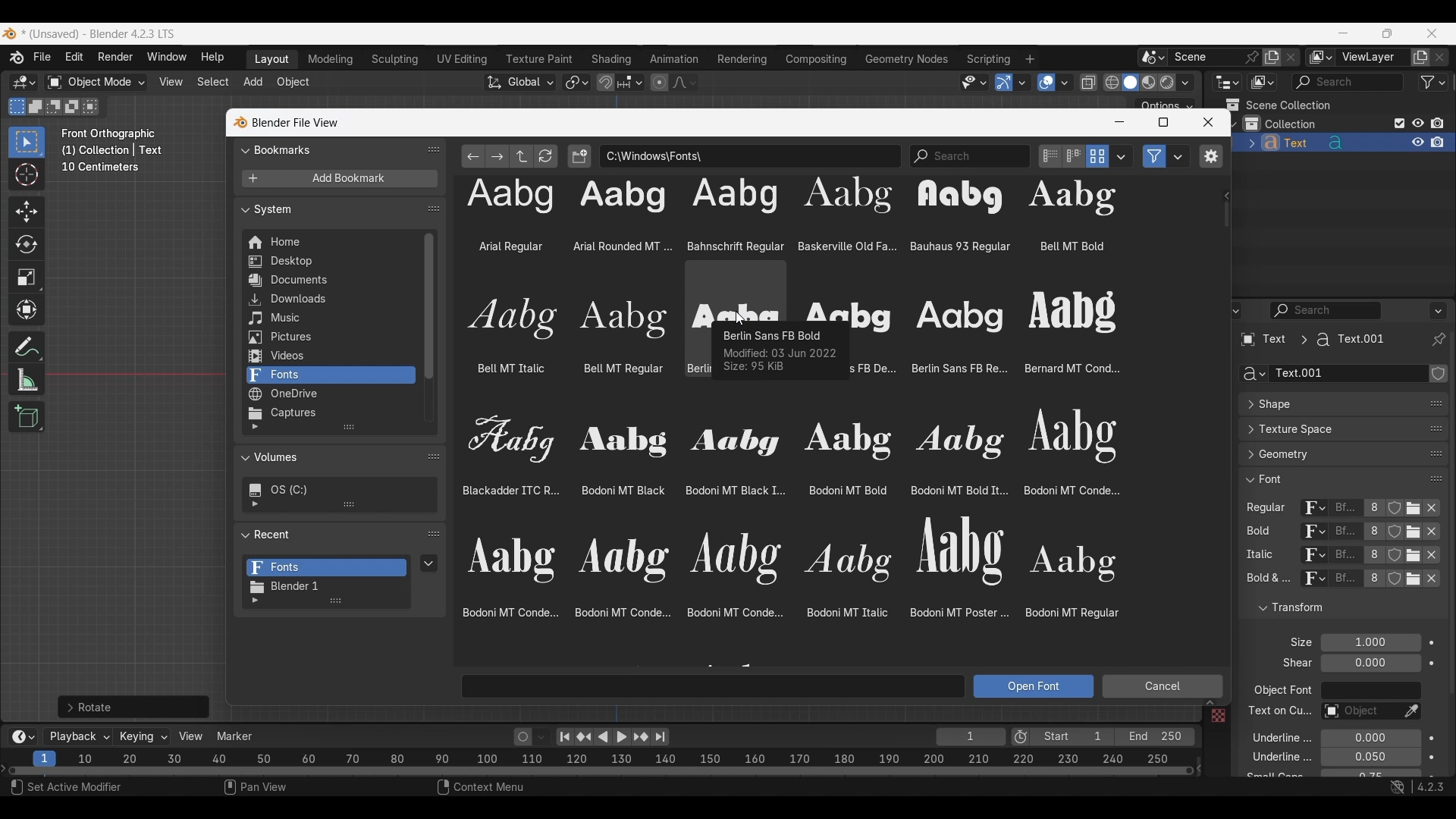 The height and width of the screenshot is (819, 1456). Describe the element at coordinates (213, 83) in the screenshot. I see `Select menu` at that location.